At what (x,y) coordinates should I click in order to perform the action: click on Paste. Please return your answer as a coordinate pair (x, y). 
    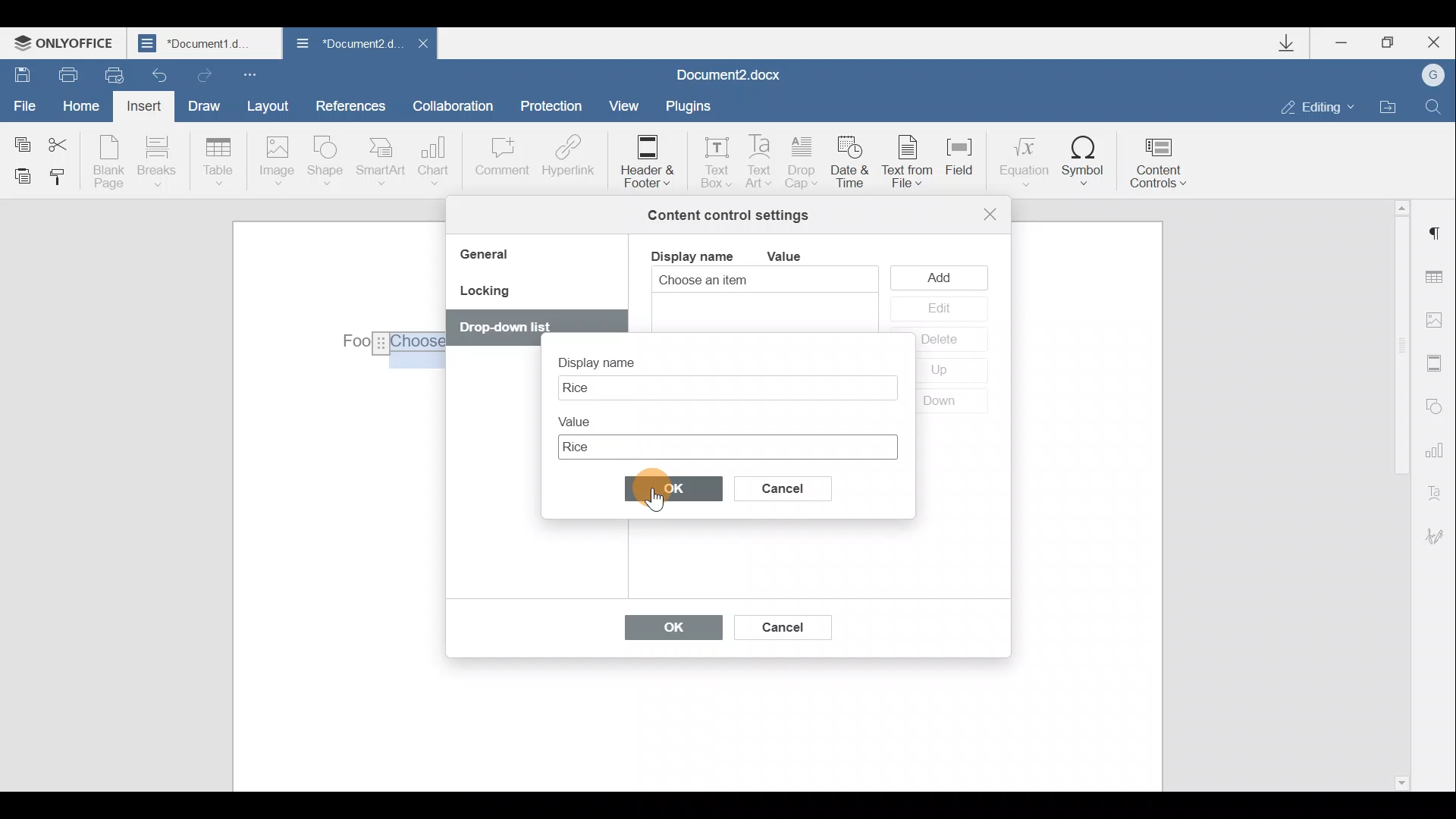
    Looking at the image, I should click on (17, 175).